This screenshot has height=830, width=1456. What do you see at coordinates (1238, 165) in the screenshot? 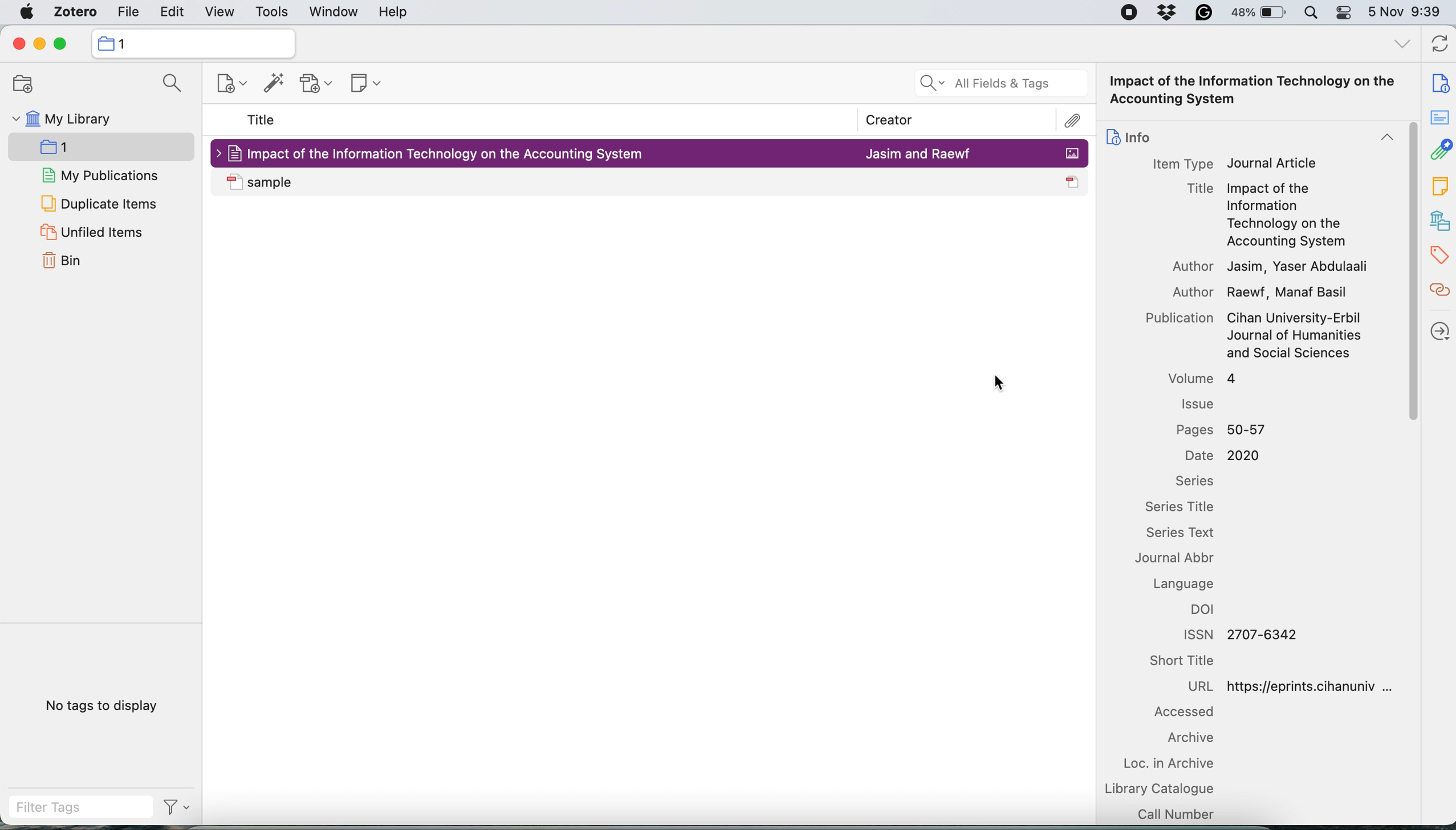
I see `Item Type Journal Article` at bounding box center [1238, 165].